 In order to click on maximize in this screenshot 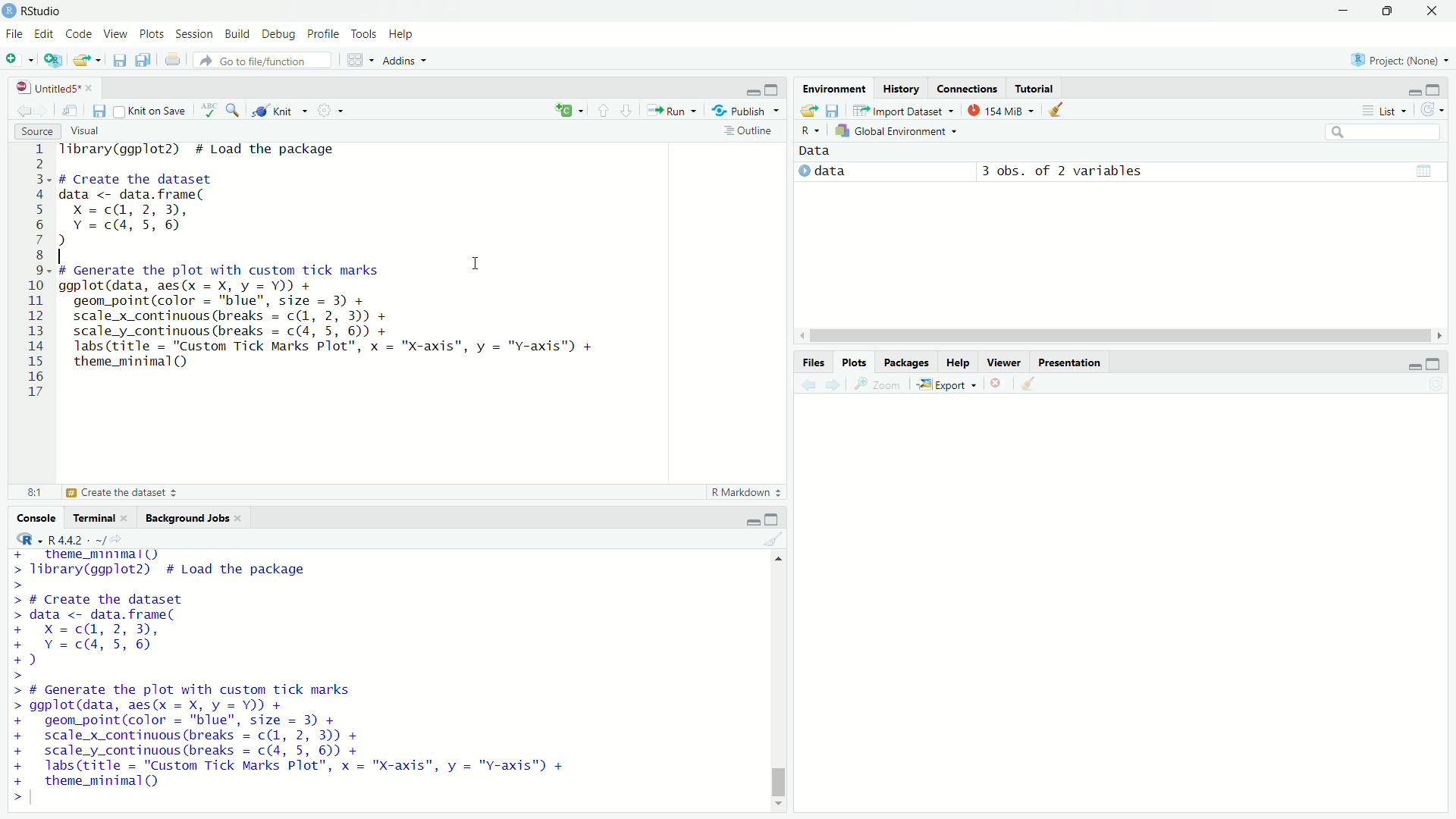, I will do `click(775, 517)`.